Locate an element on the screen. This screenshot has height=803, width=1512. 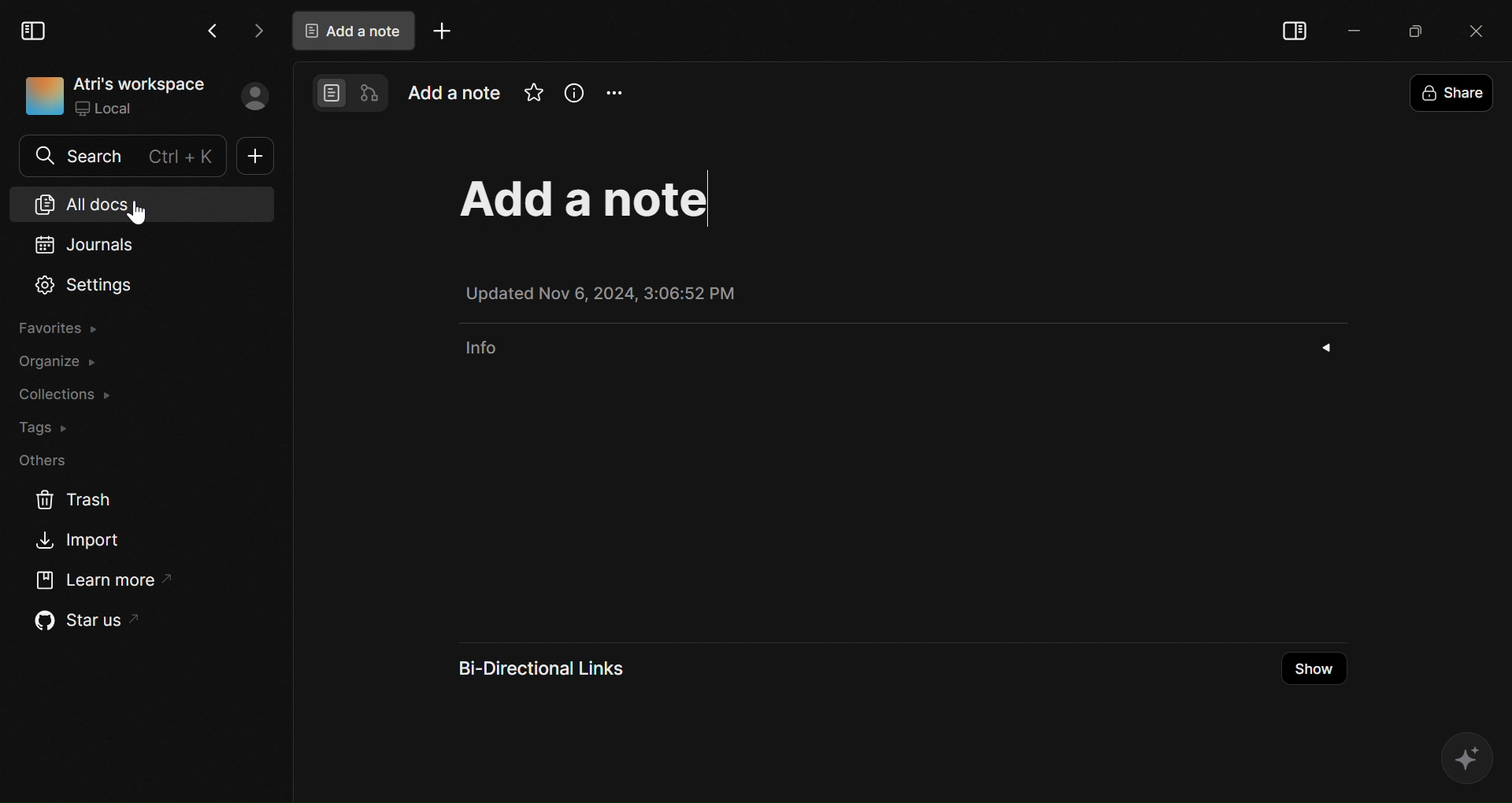
Bi-Directional Links is located at coordinates (542, 668).